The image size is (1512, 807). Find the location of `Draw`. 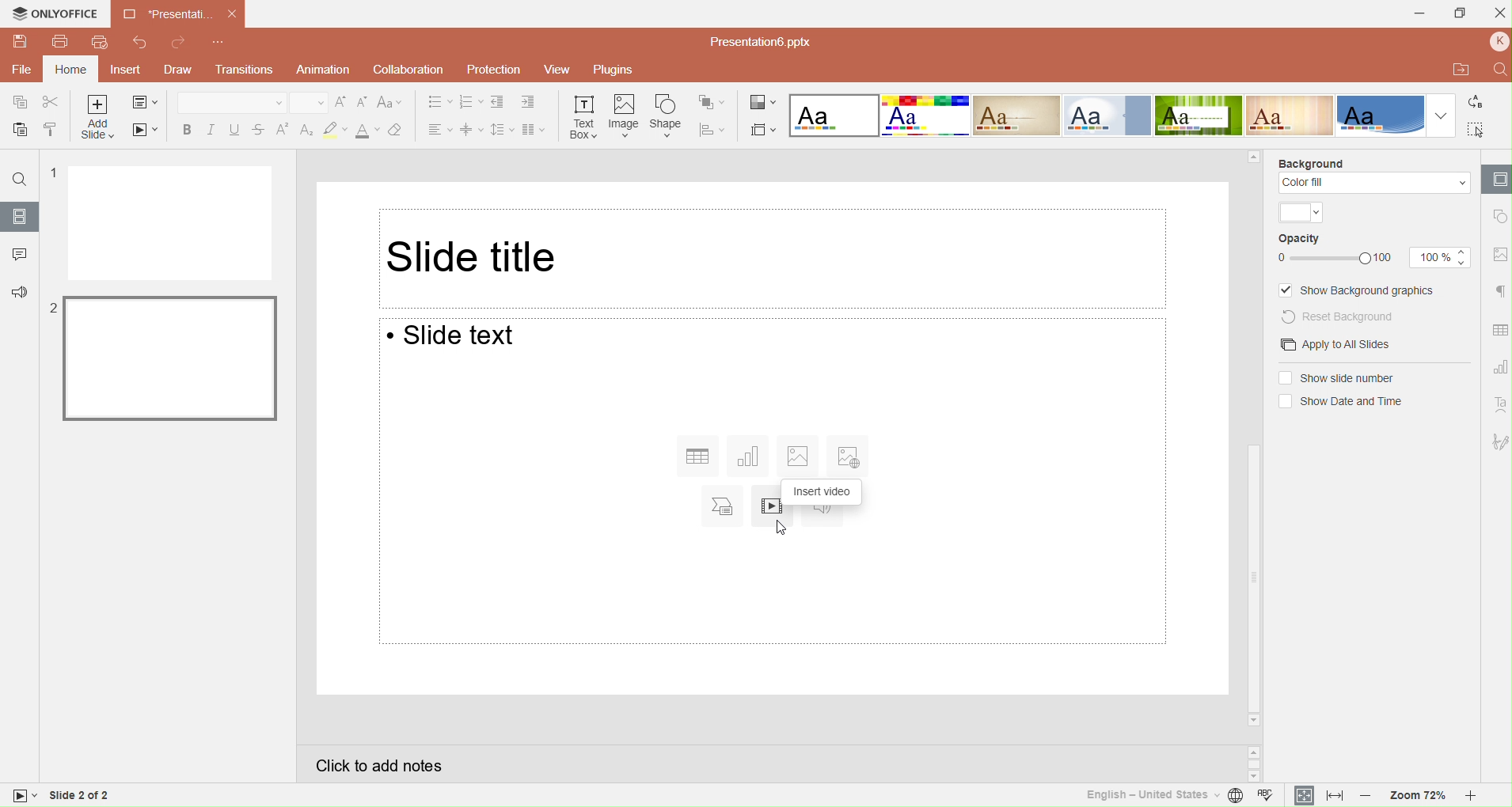

Draw is located at coordinates (177, 70).